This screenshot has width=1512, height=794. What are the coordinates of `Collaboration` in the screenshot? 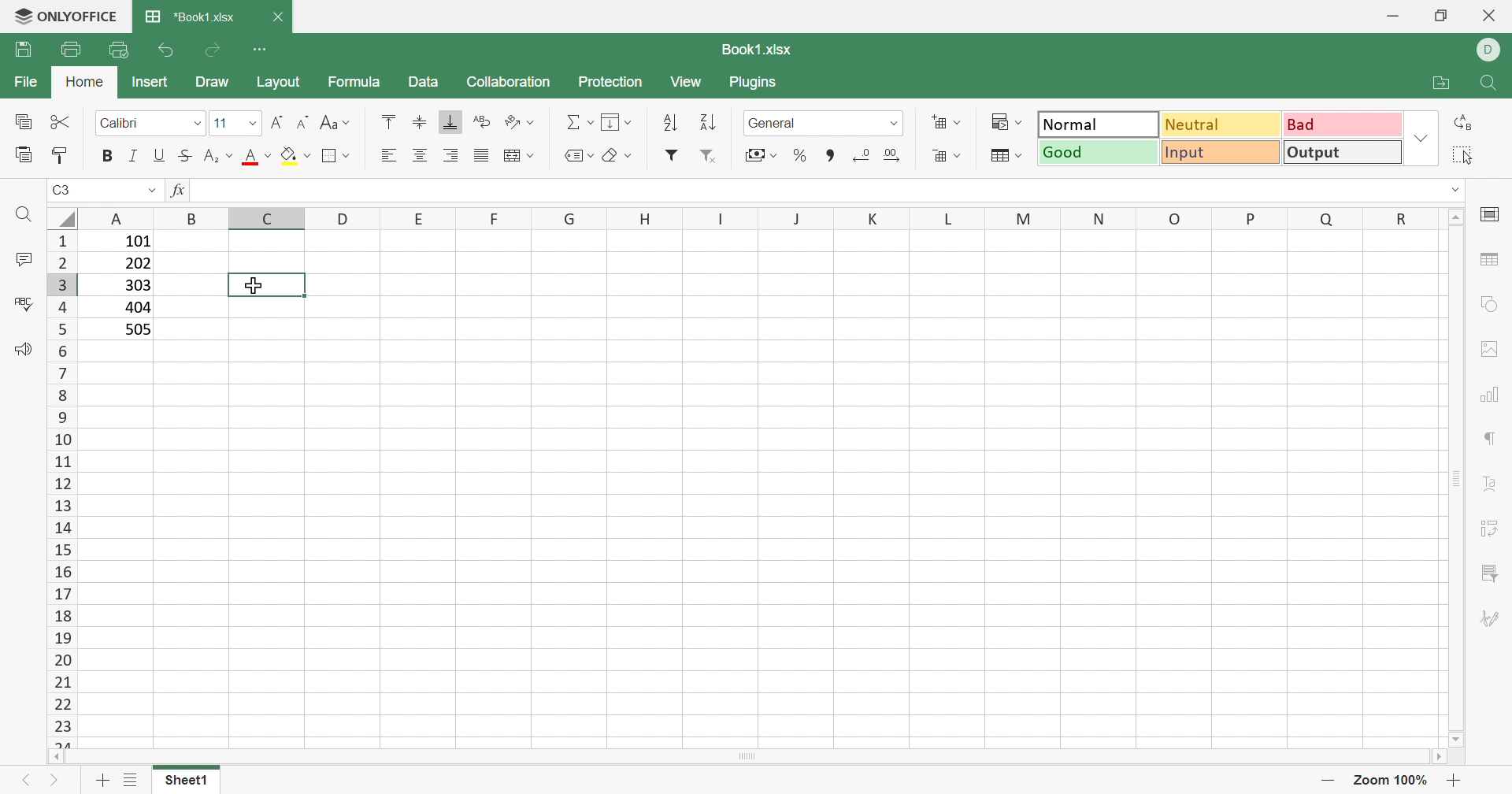 It's located at (508, 82).